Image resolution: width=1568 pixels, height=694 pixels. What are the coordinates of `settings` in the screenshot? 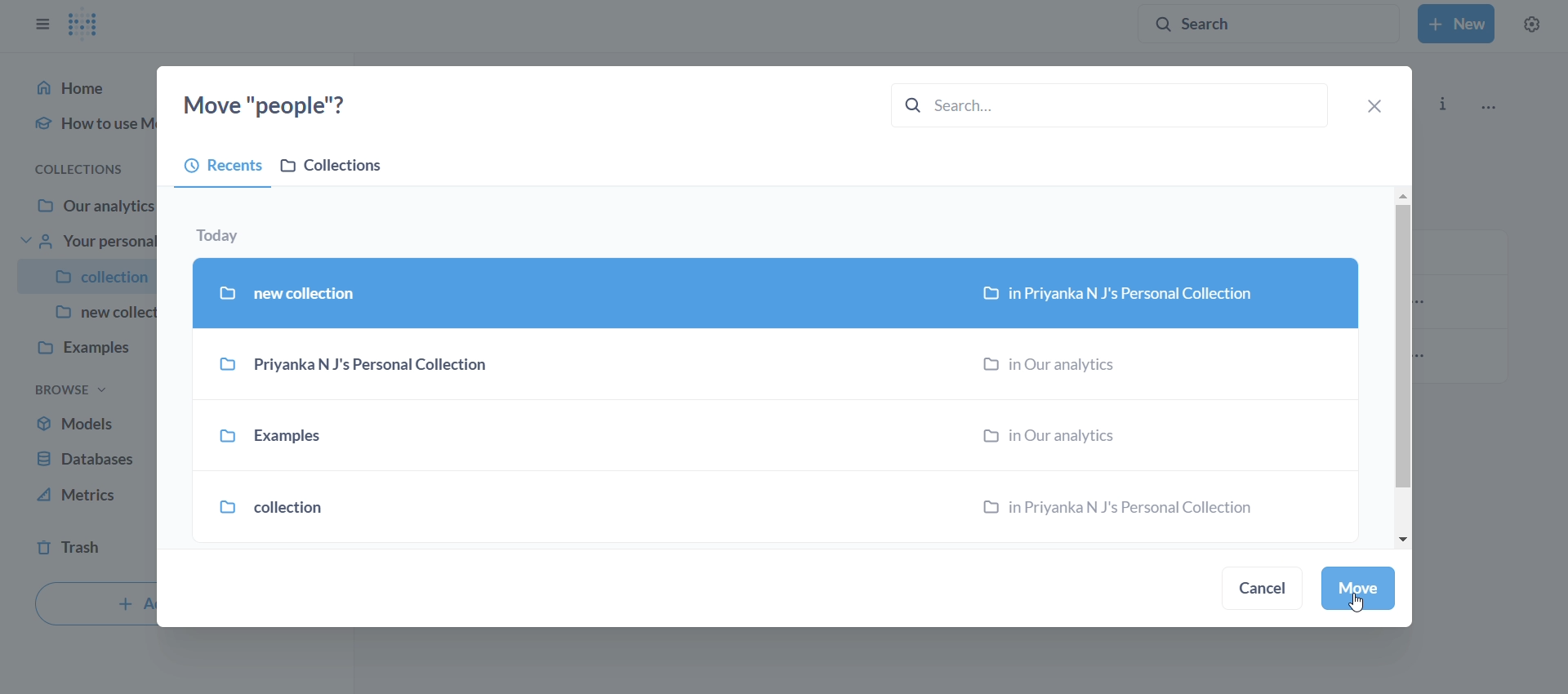 It's located at (1538, 20).